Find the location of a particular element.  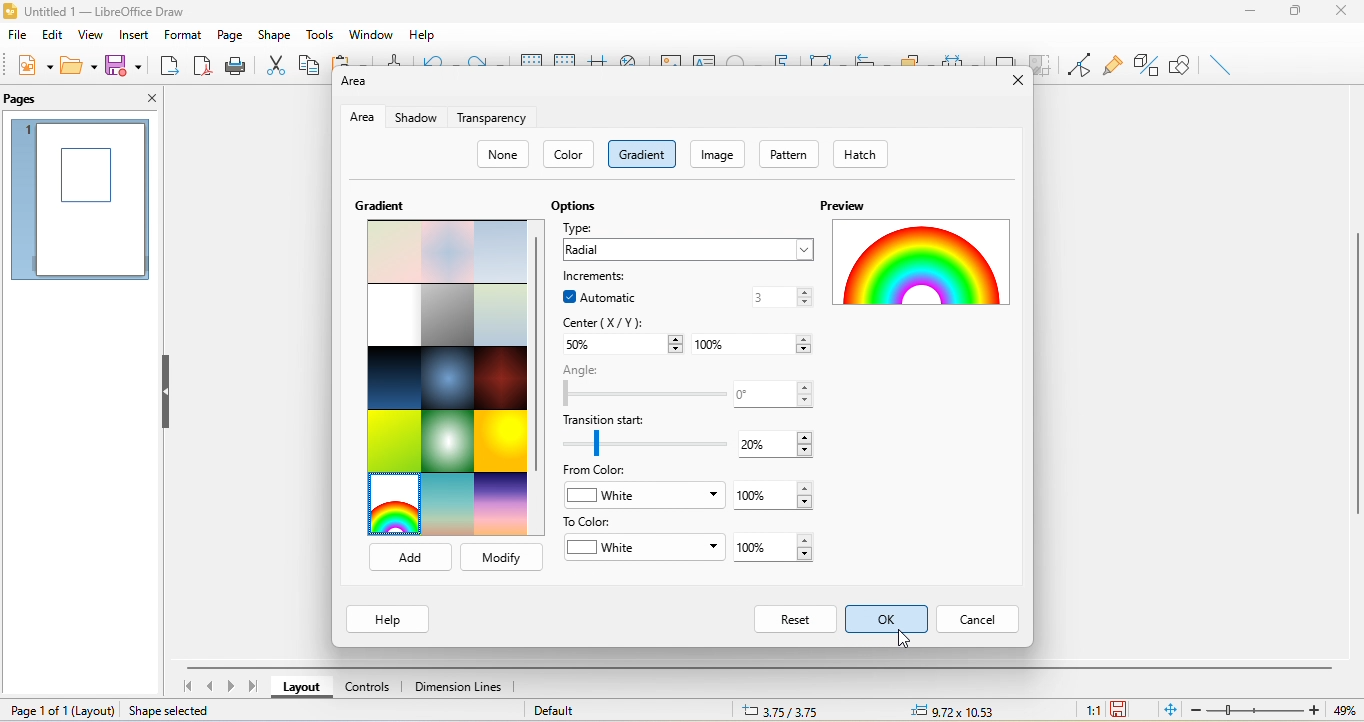

next page is located at coordinates (231, 688).